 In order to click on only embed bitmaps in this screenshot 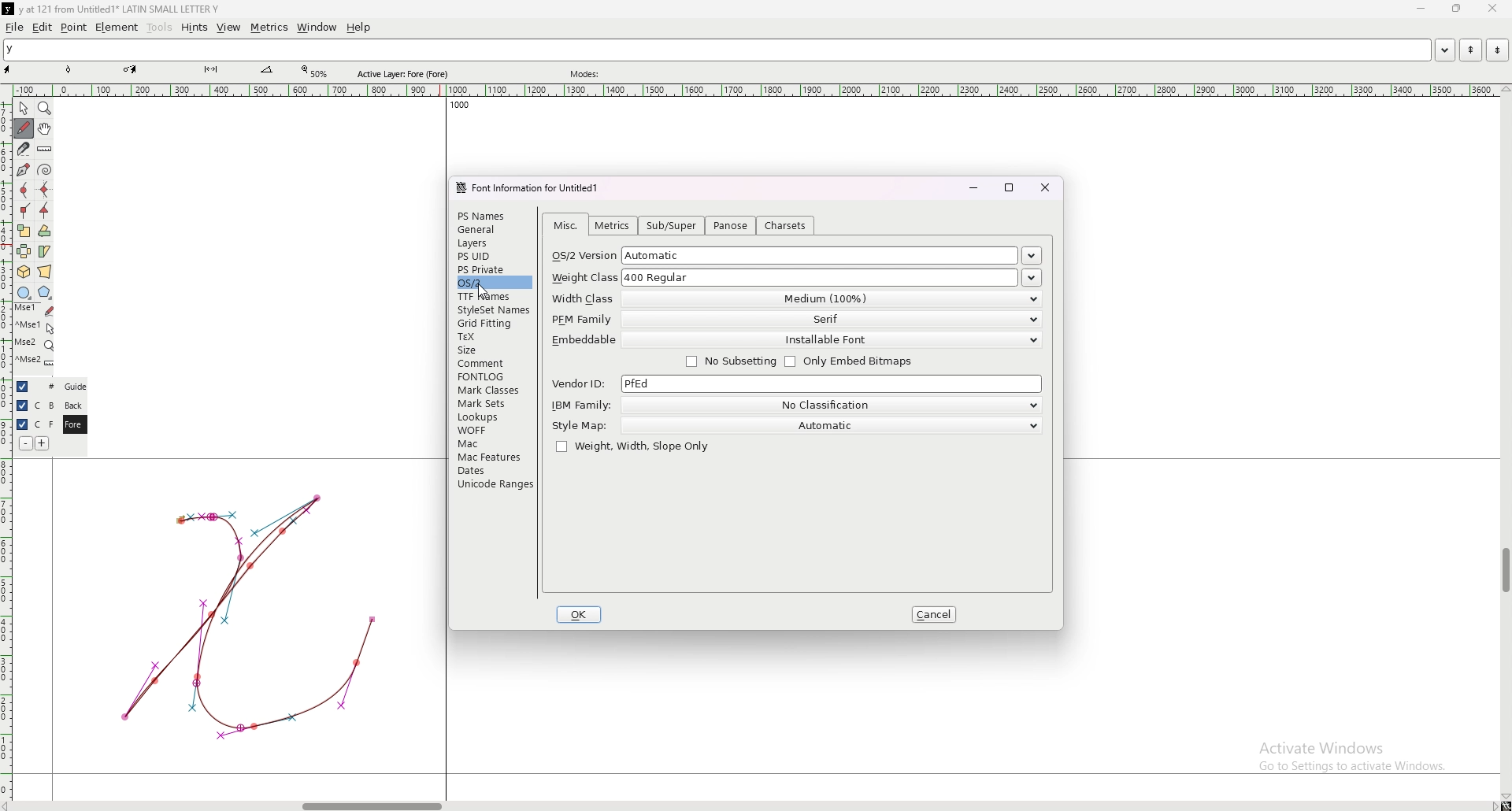, I will do `click(853, 362)`.